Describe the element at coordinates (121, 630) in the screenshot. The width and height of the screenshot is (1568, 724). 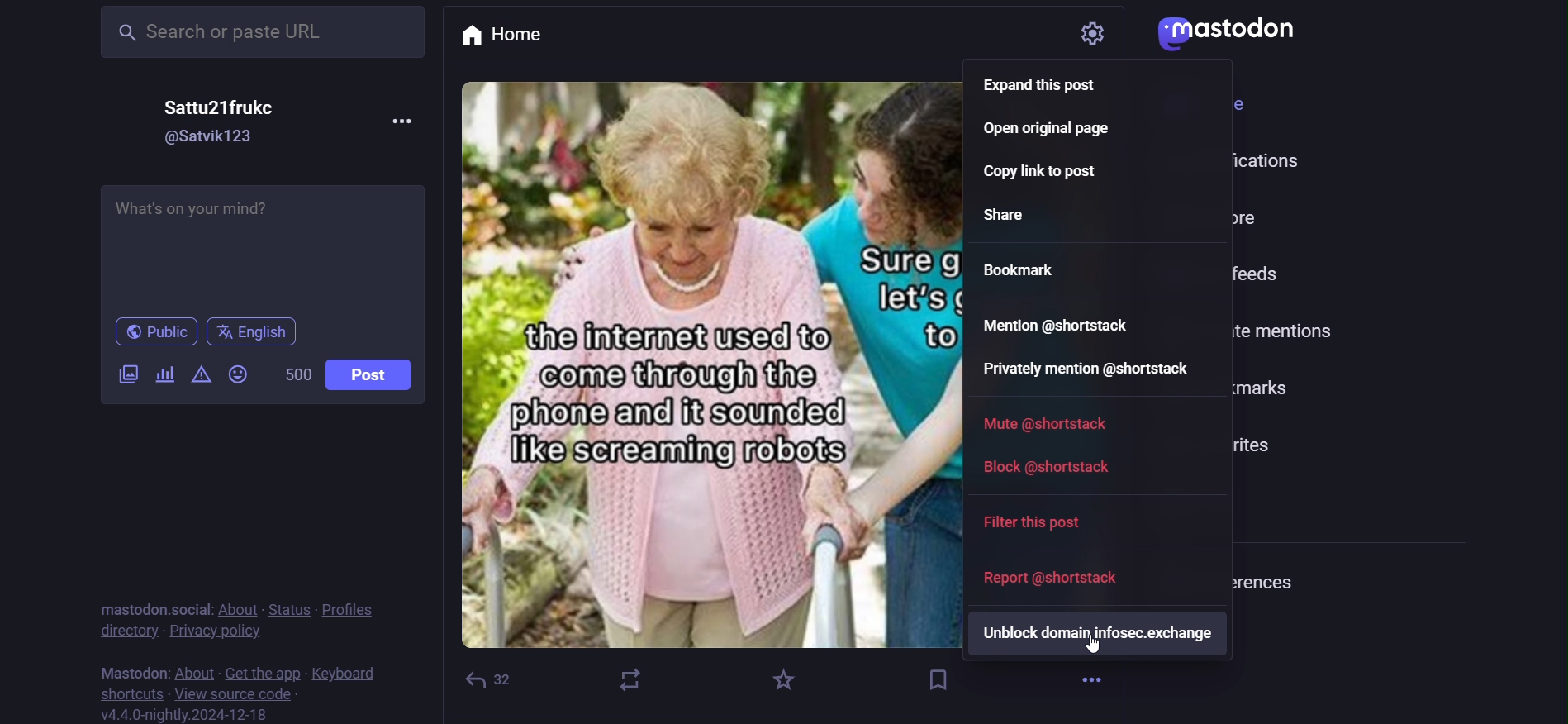
I see `directory` at that location.